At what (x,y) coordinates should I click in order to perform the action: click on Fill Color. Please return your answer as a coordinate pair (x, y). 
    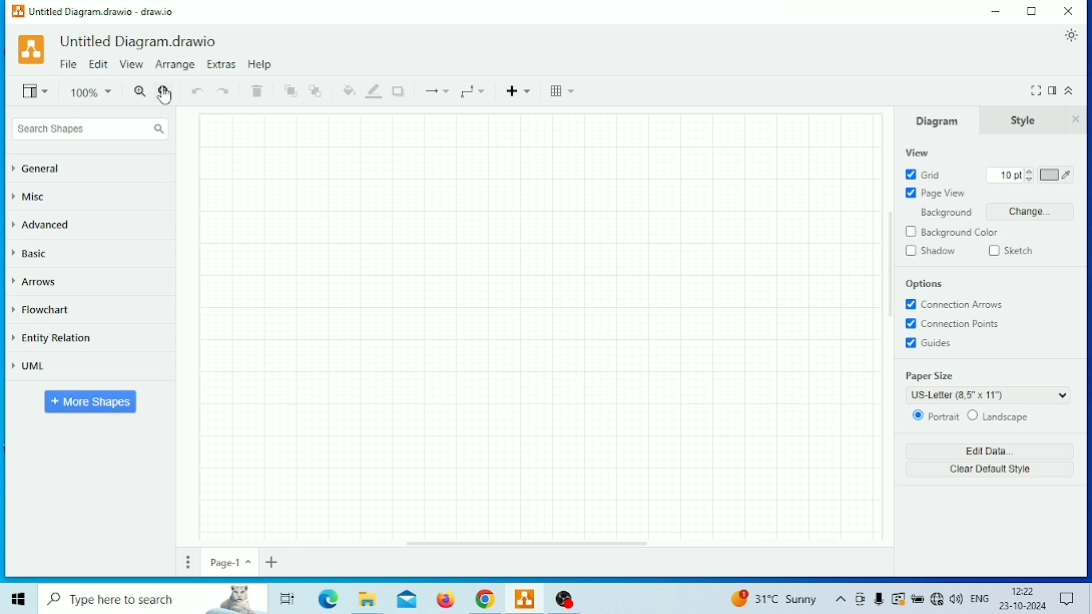
    Looking at the image, I should click on (348, 90).